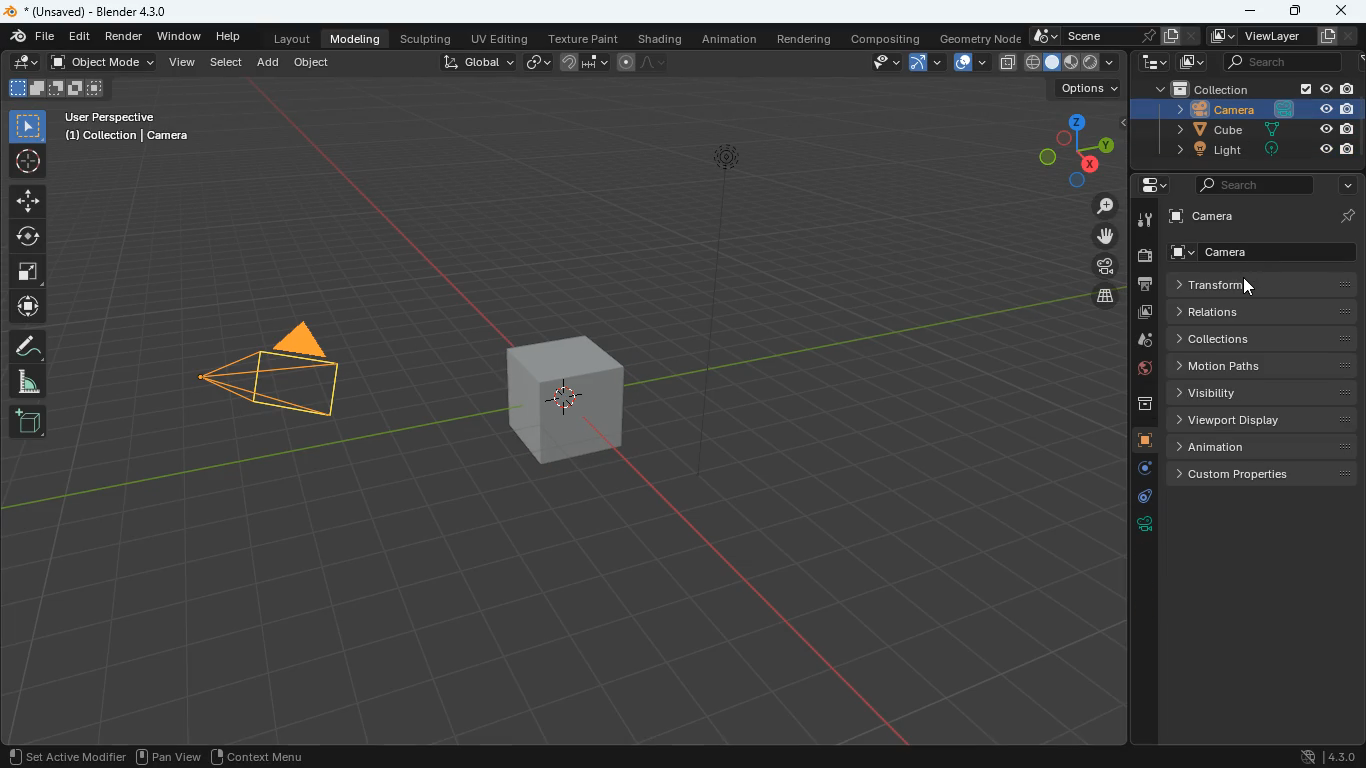 The image size is (1366, 768). What do you see at coordinates (1141, 526) in the screenshot?
I see `rotation` at bounding box center [1141, 526].